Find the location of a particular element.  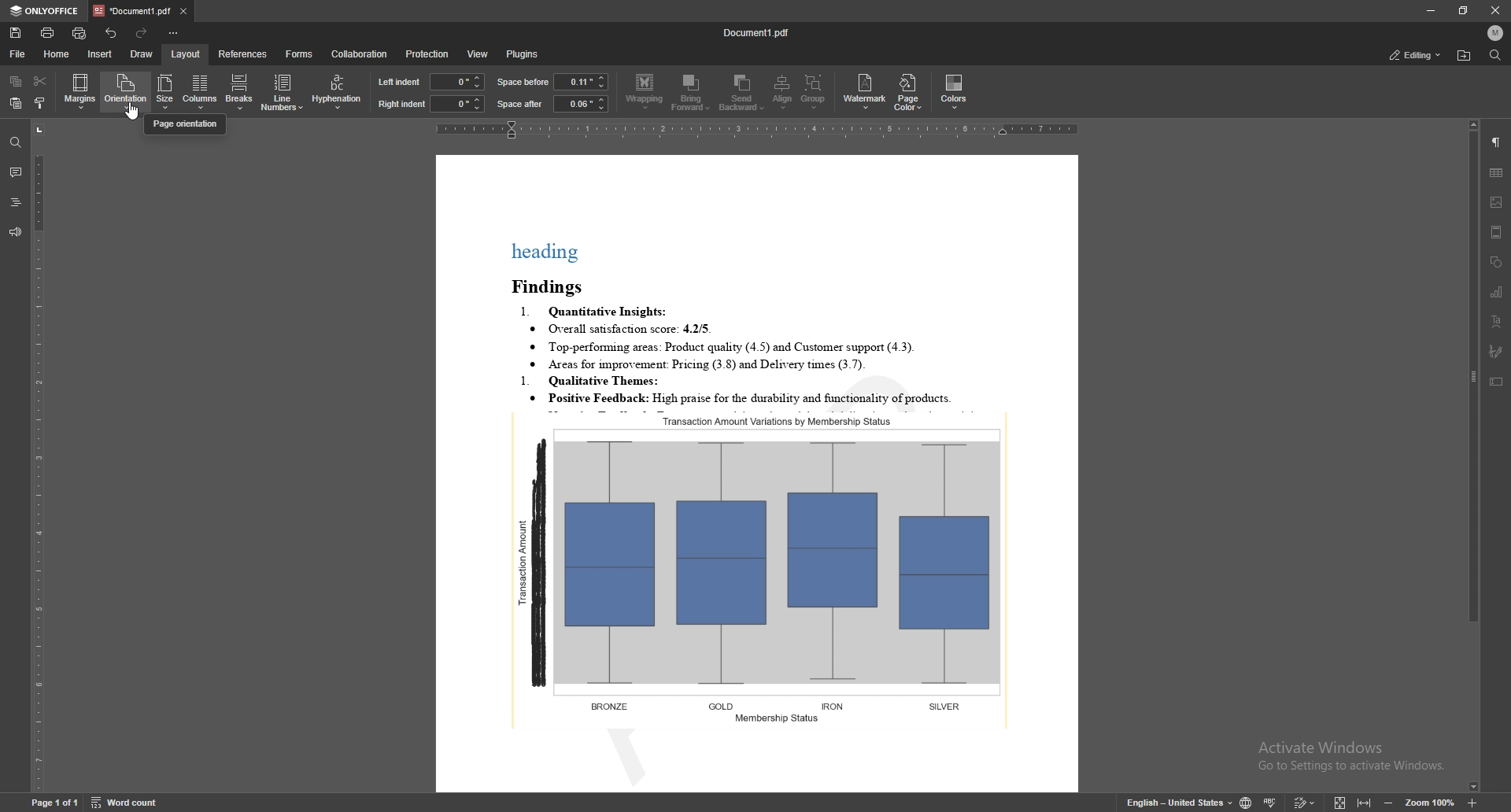

breaks is located at coordinates (238, 91).